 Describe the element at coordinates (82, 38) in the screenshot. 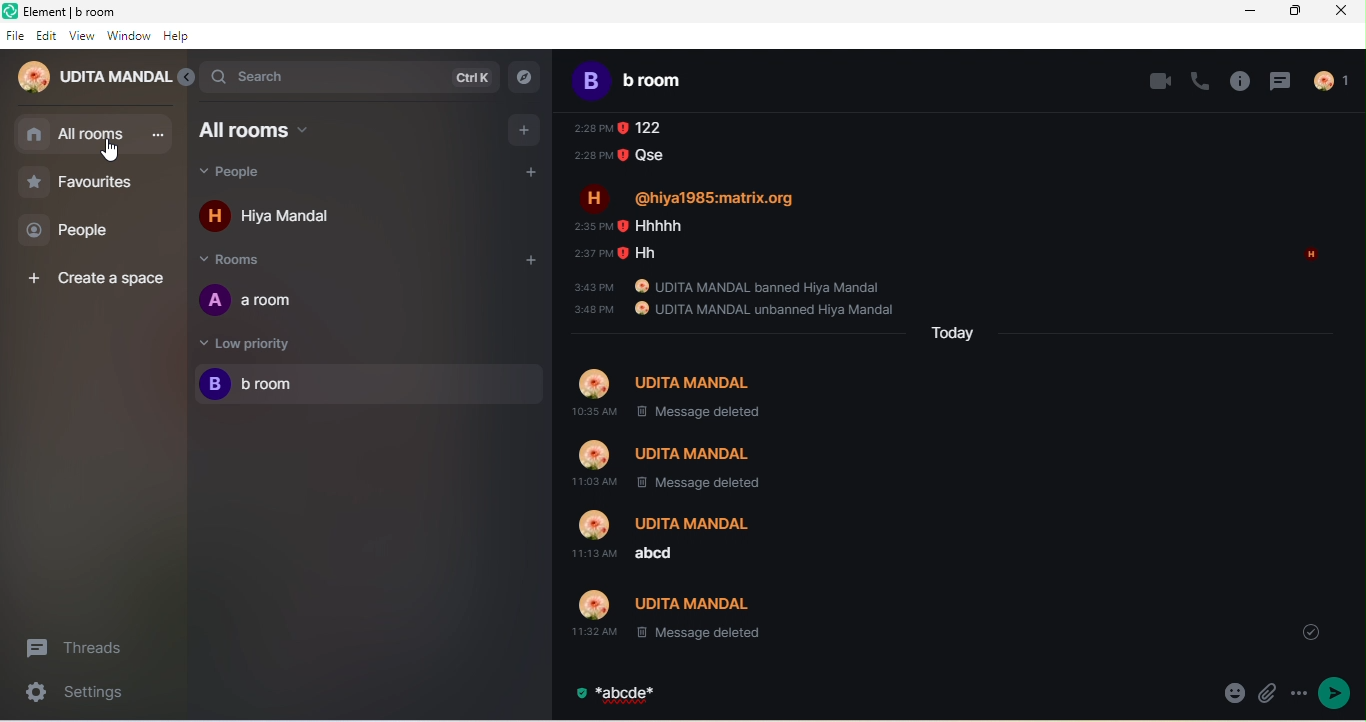

I see `view` at that location.